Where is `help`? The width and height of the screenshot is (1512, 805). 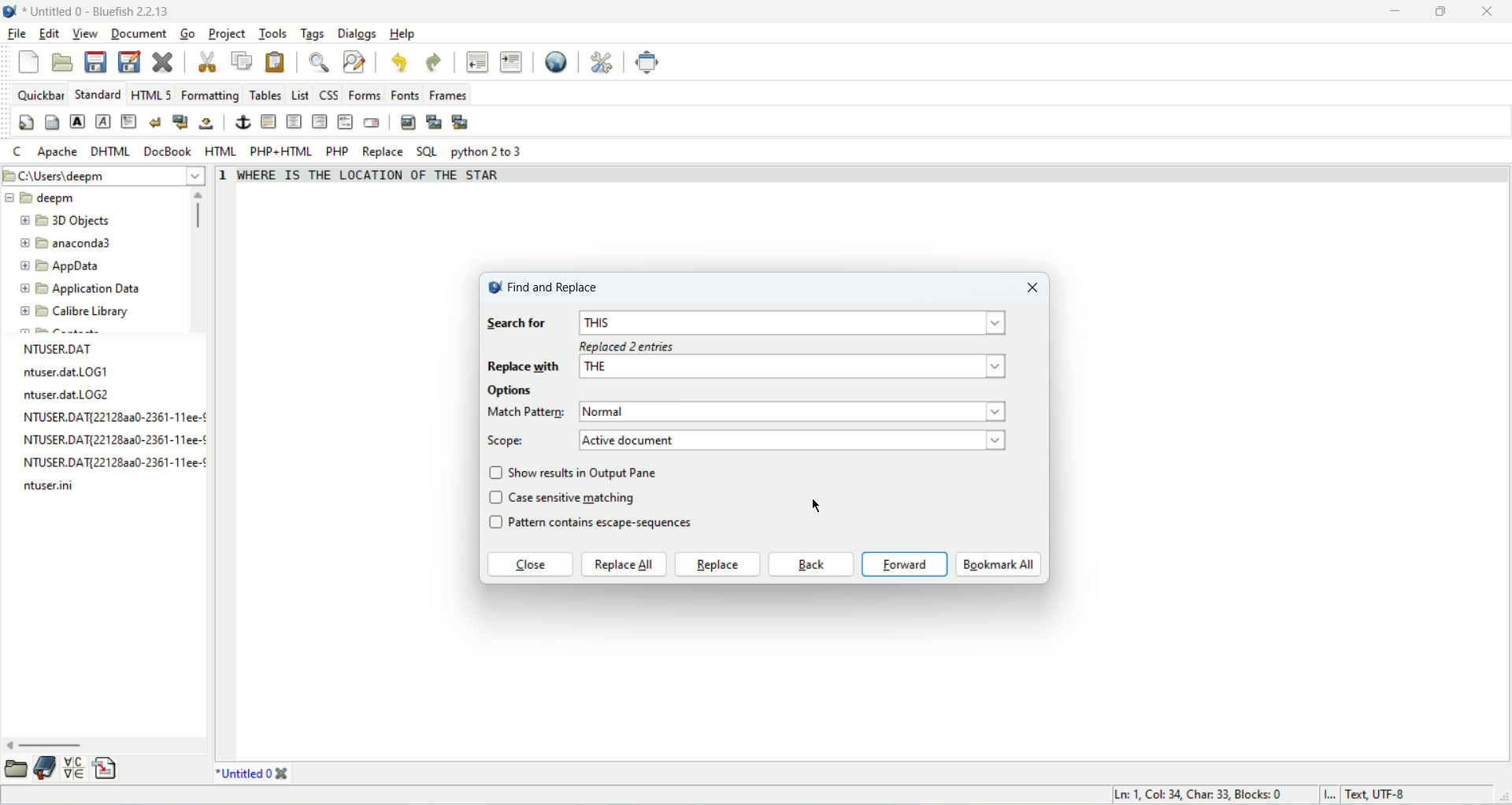
help is located at coordinates (401, 34).